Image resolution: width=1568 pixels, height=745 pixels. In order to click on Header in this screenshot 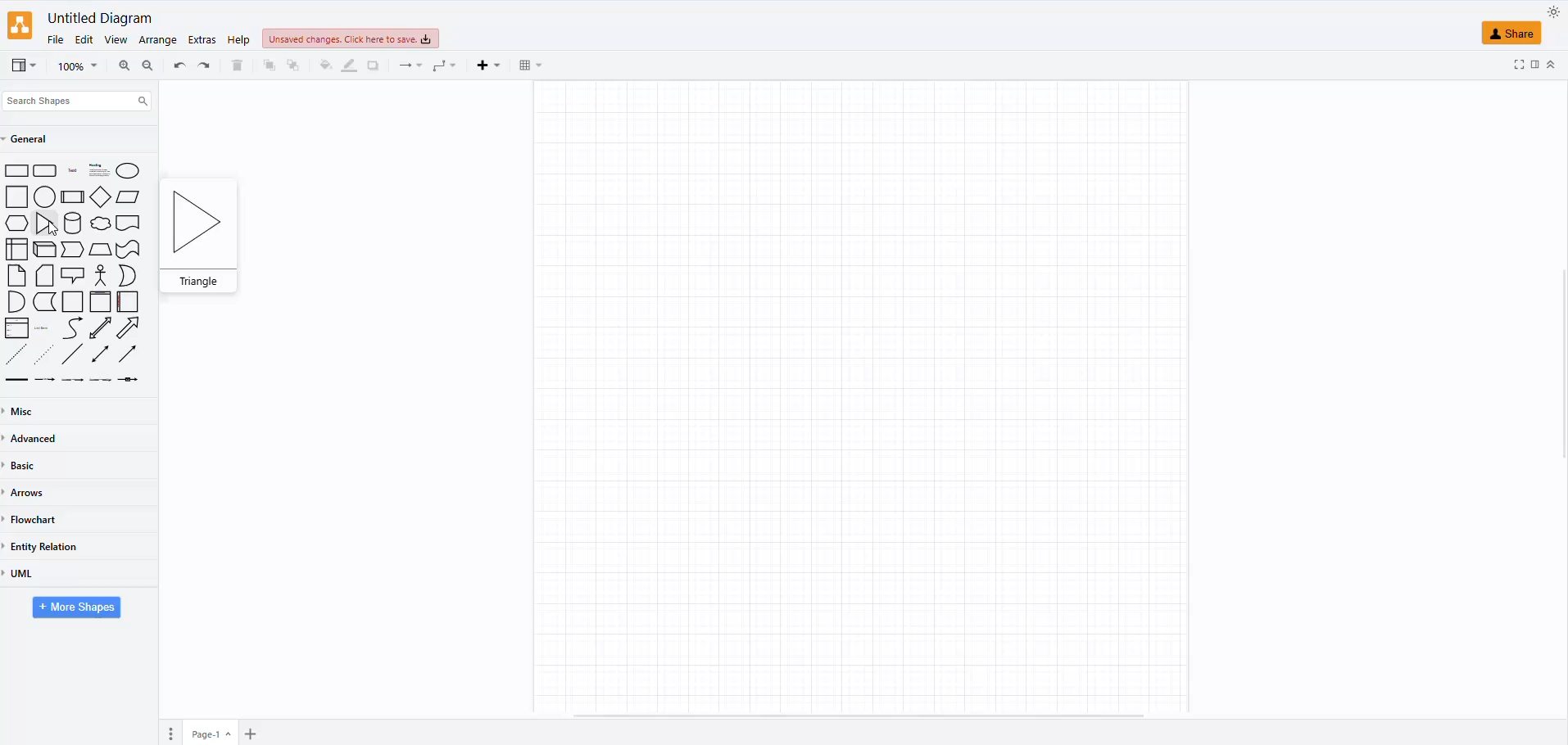, I will do `click(101, 302)`.